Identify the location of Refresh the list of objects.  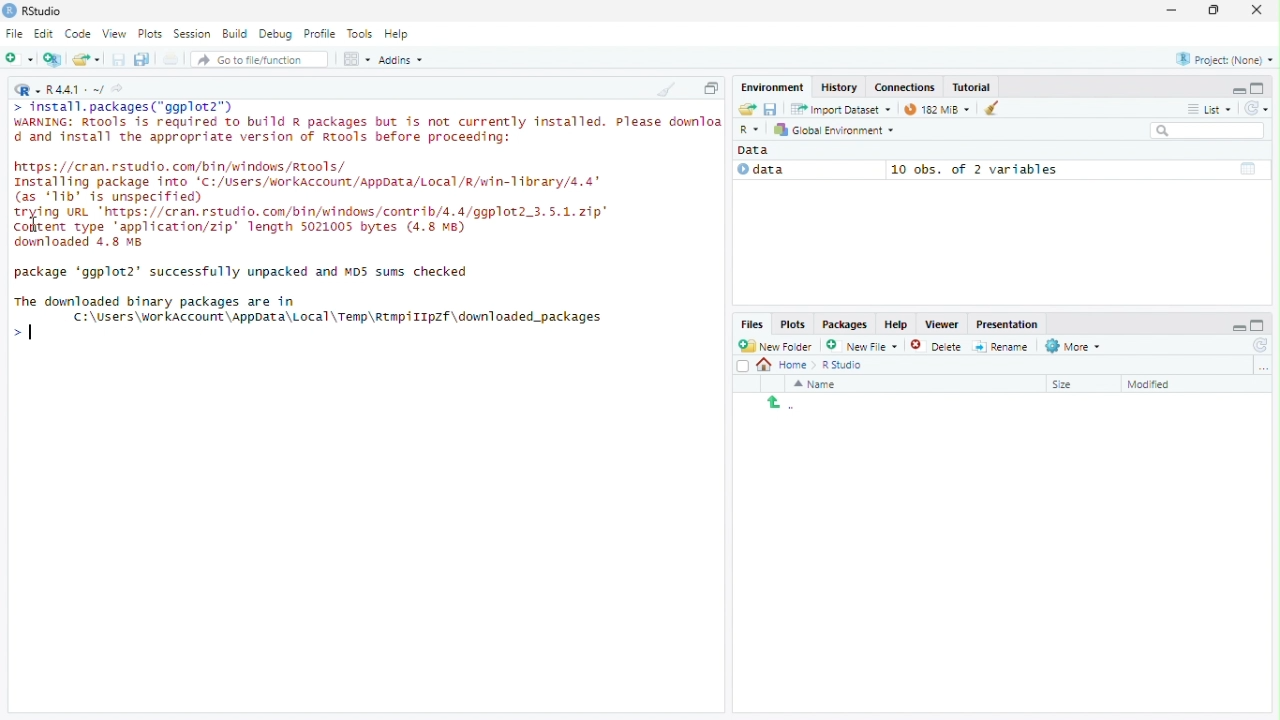
(1256, 107).